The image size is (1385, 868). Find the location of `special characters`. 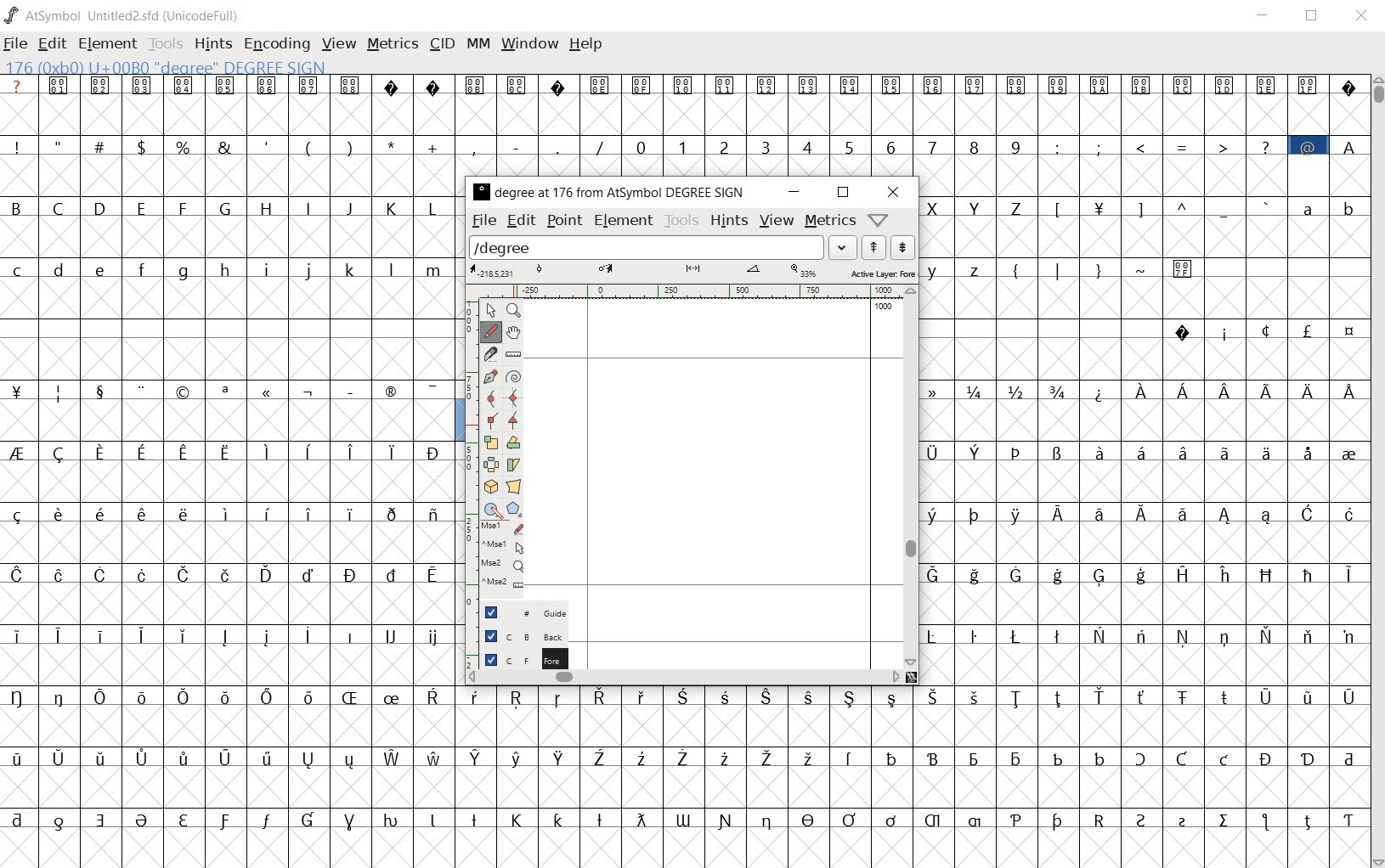

special characters is located at coordinates (307, 144).